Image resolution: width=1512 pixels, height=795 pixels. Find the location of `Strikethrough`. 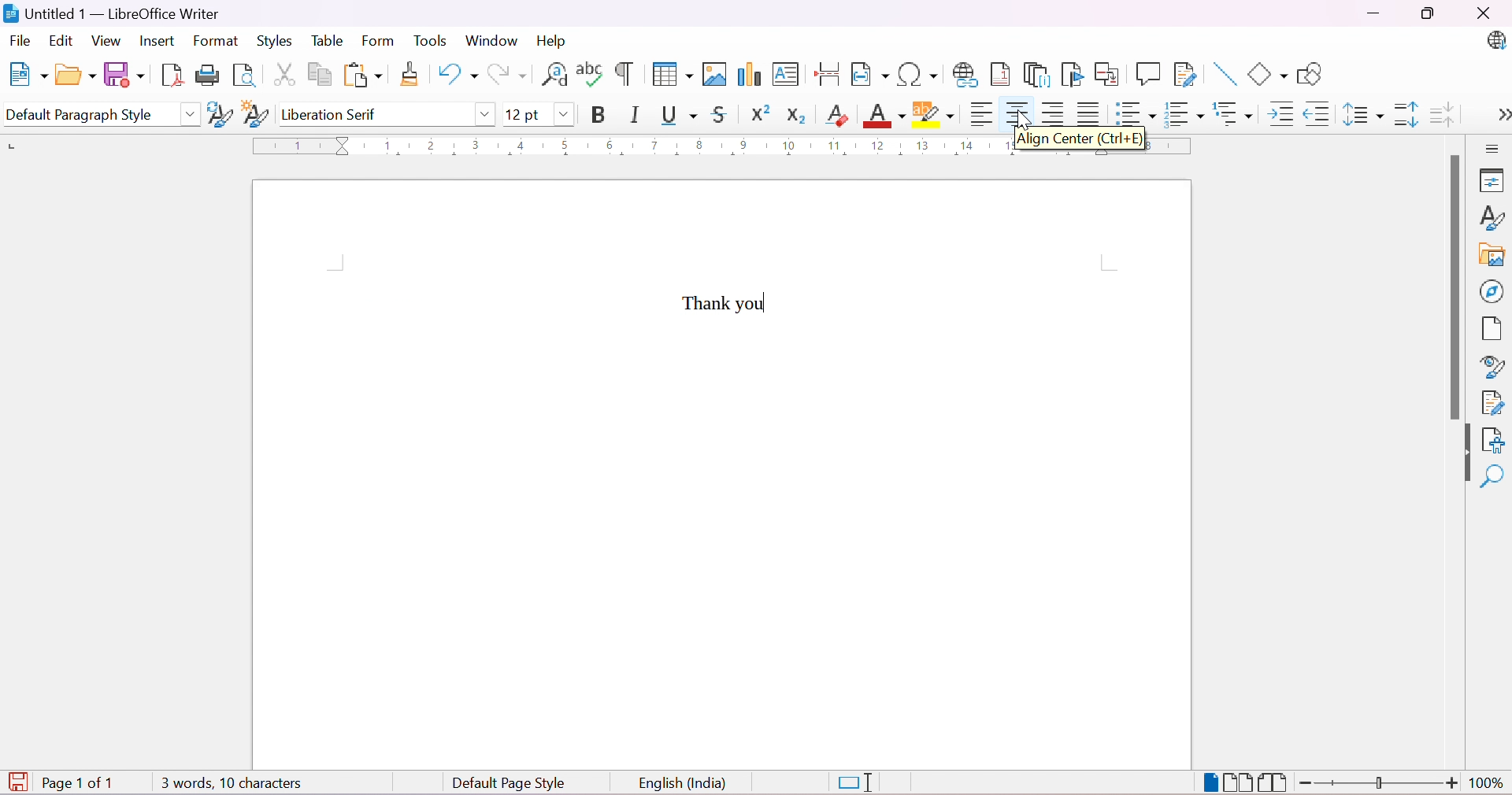

Strikethrough is located at coordinates (721, 113).